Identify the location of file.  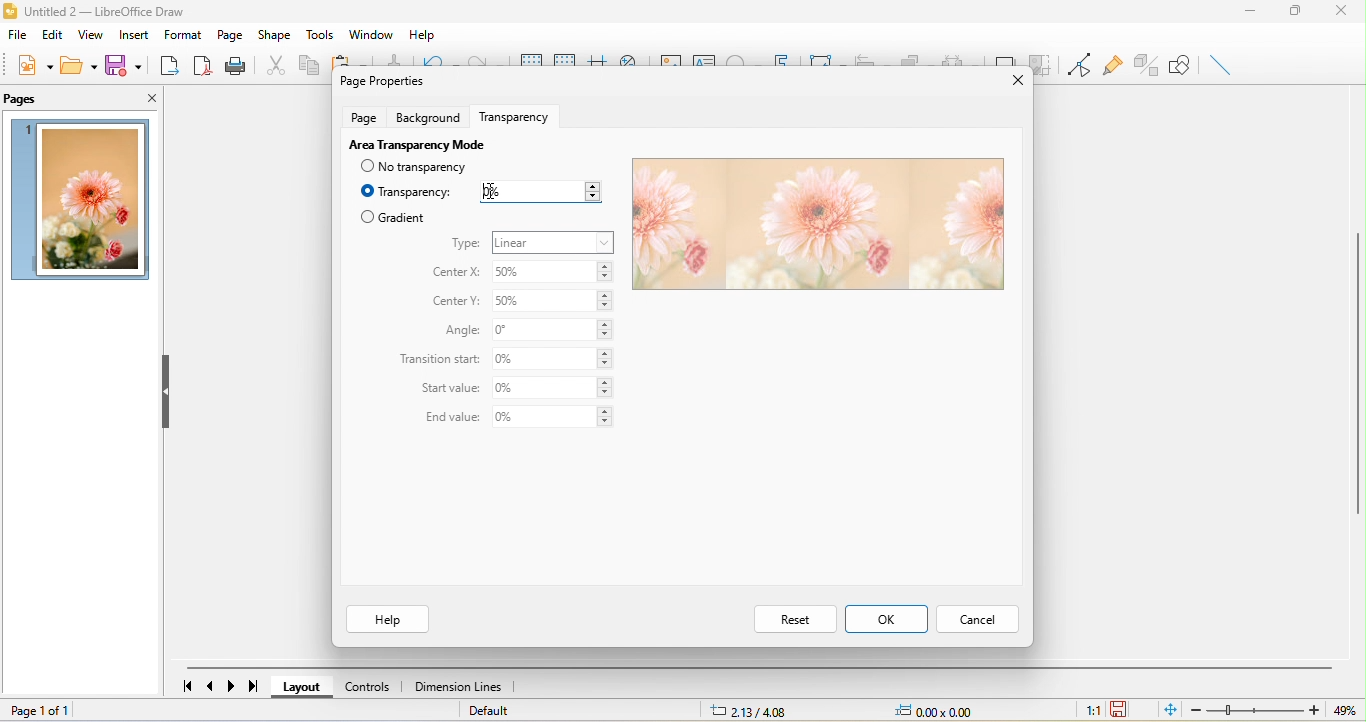
(19, 35).